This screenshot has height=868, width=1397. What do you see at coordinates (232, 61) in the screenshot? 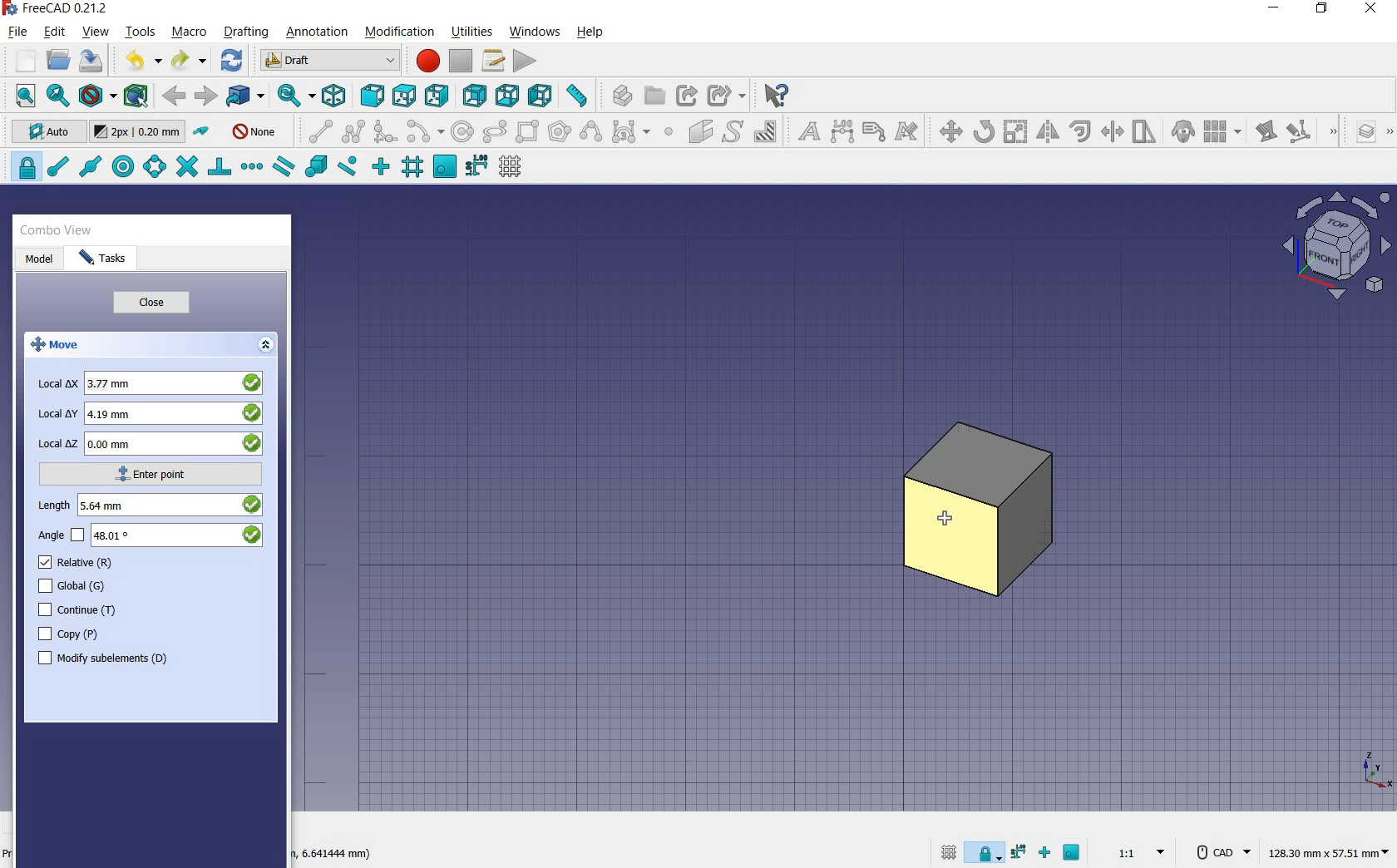
I see `refresh` at bounding box center [232, 61].